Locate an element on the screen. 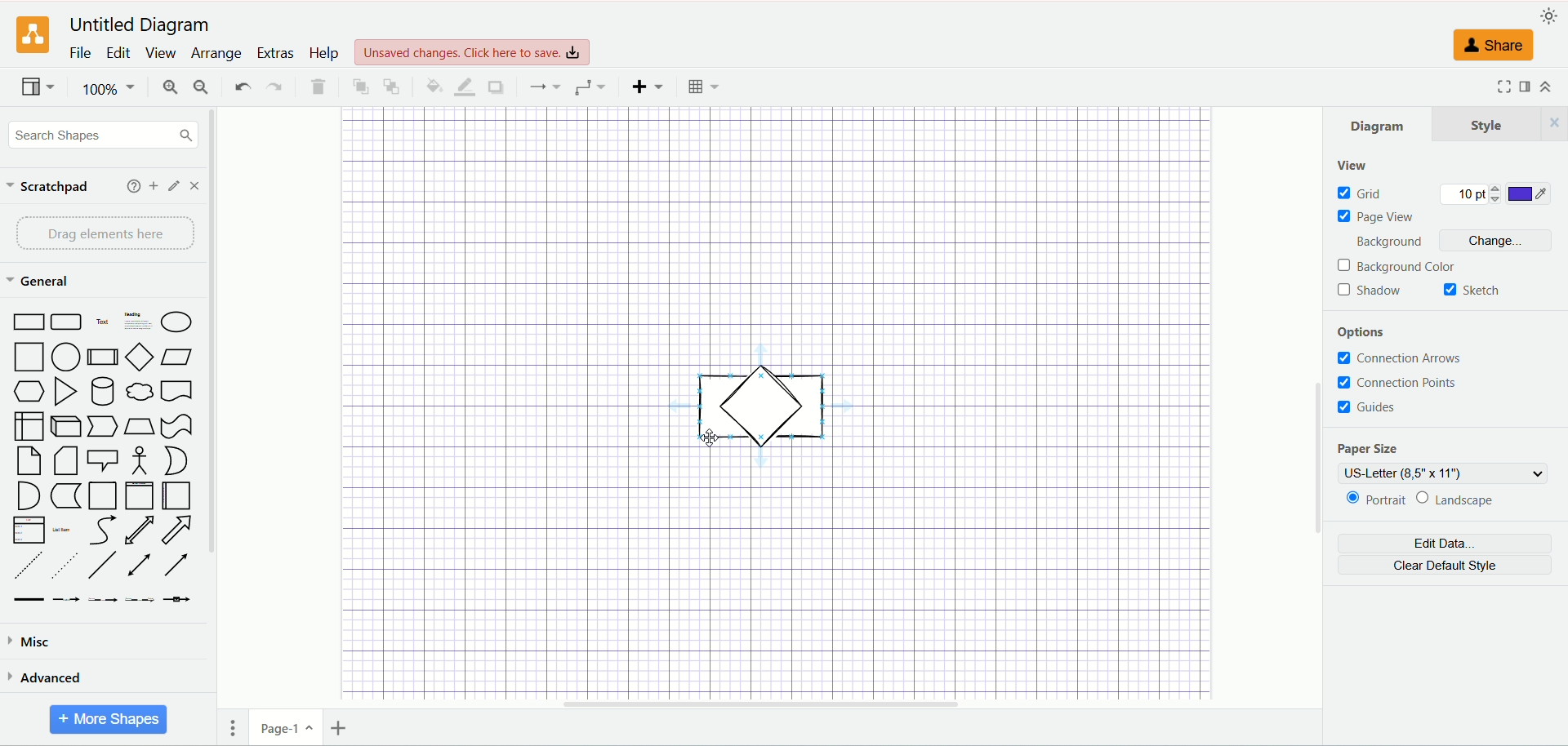 This screenshot has height=746, width=1568. Vertical Container is located at coordinates (143, 495).